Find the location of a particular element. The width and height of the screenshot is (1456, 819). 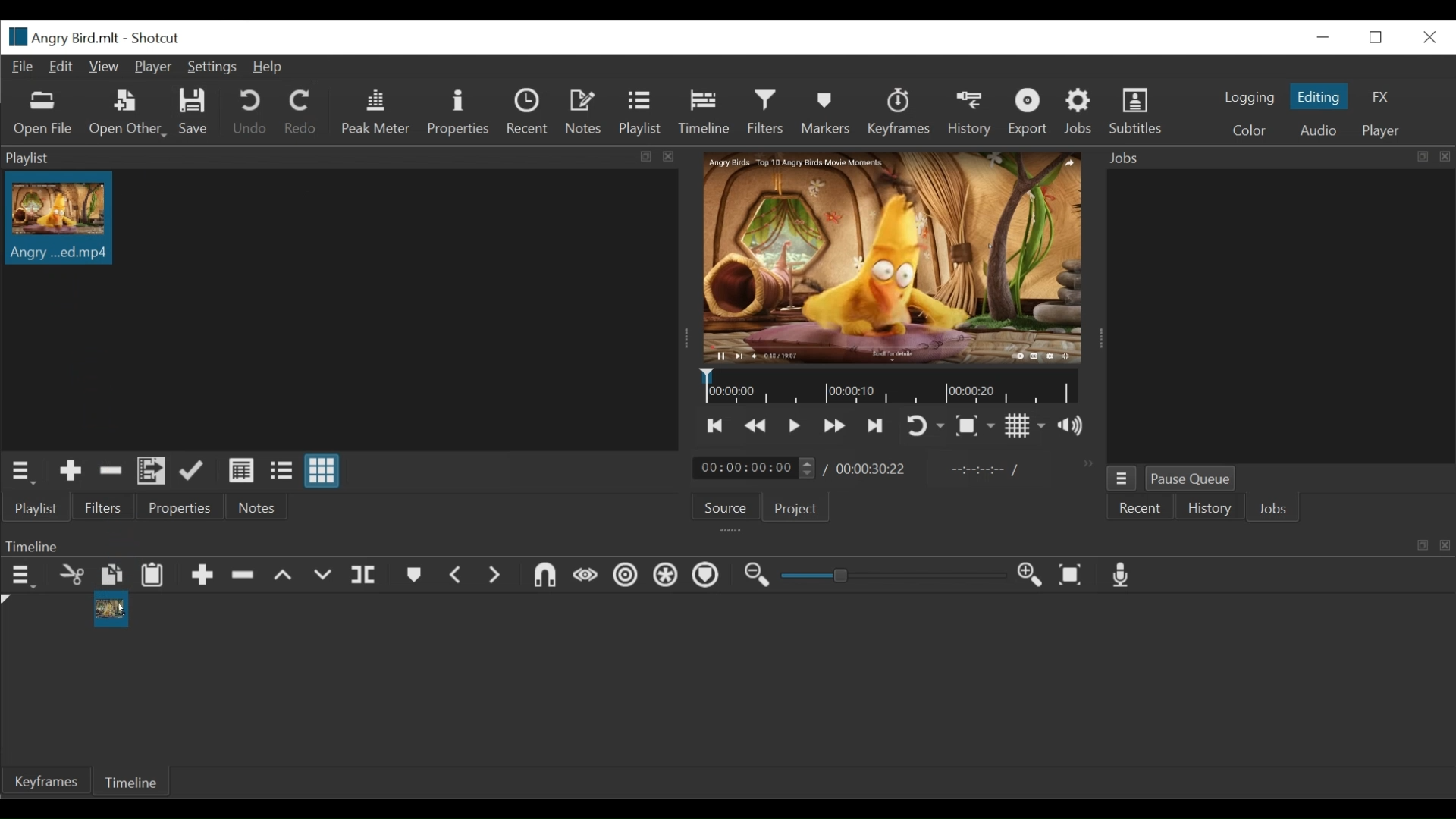

Player is located at coordinates (1384, 129).